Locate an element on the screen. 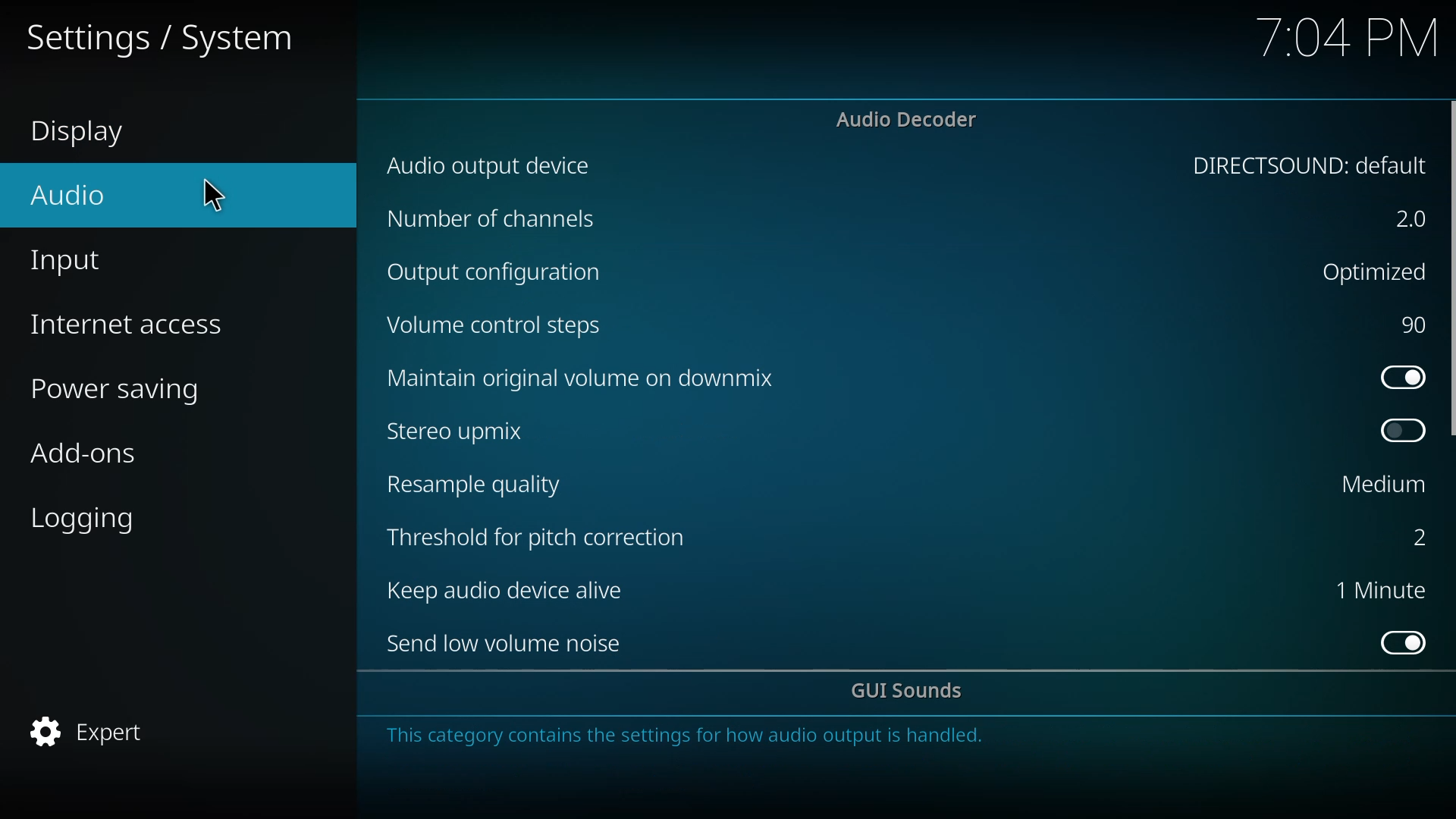 This screenshot has height=819, width=1456. power saving is located at coordinates (125, 392).